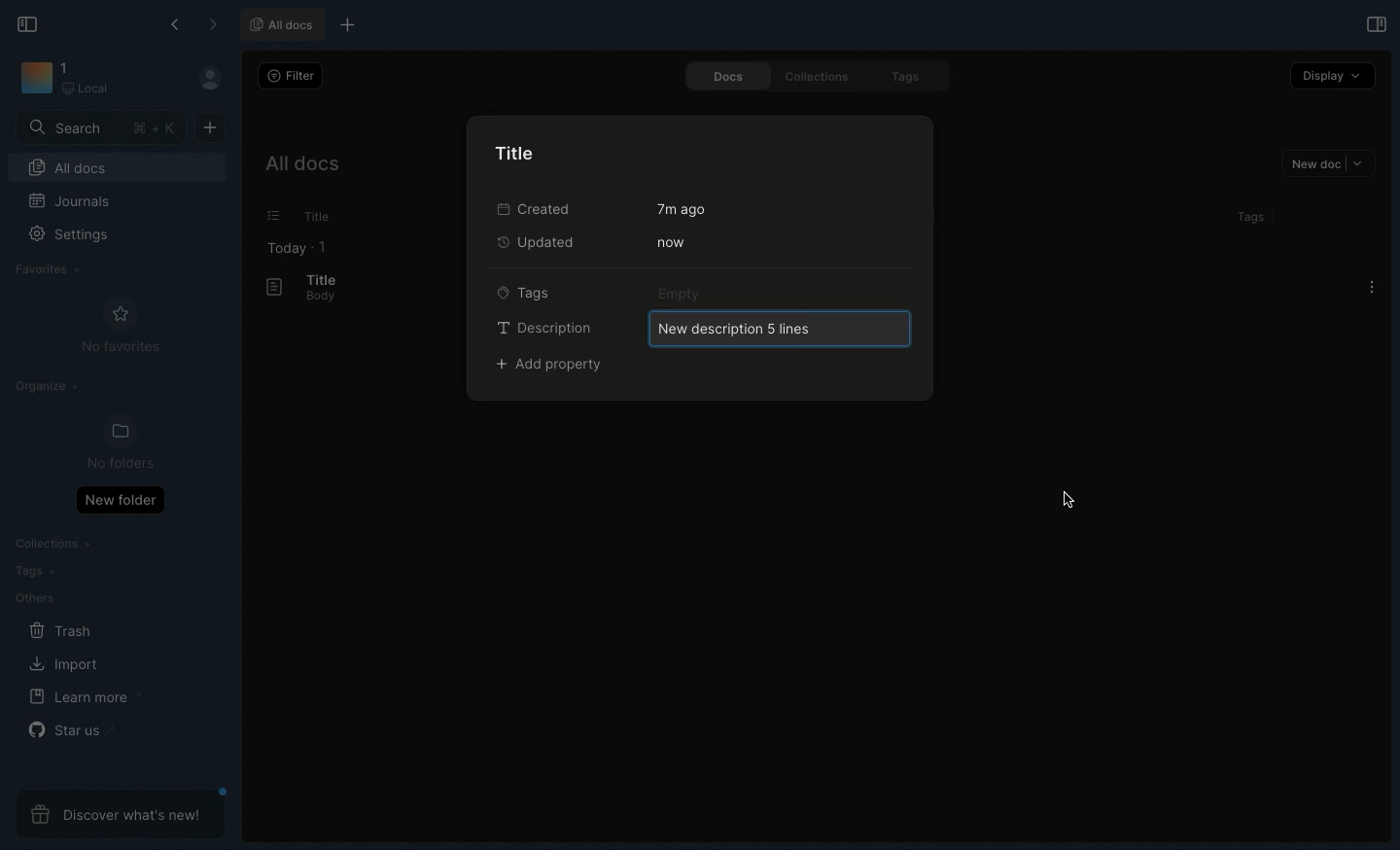 This screenshot has width=1400, height=850. Describe the element at coordinates (117, 170) in the screenshot. I see `All docs` at that location.